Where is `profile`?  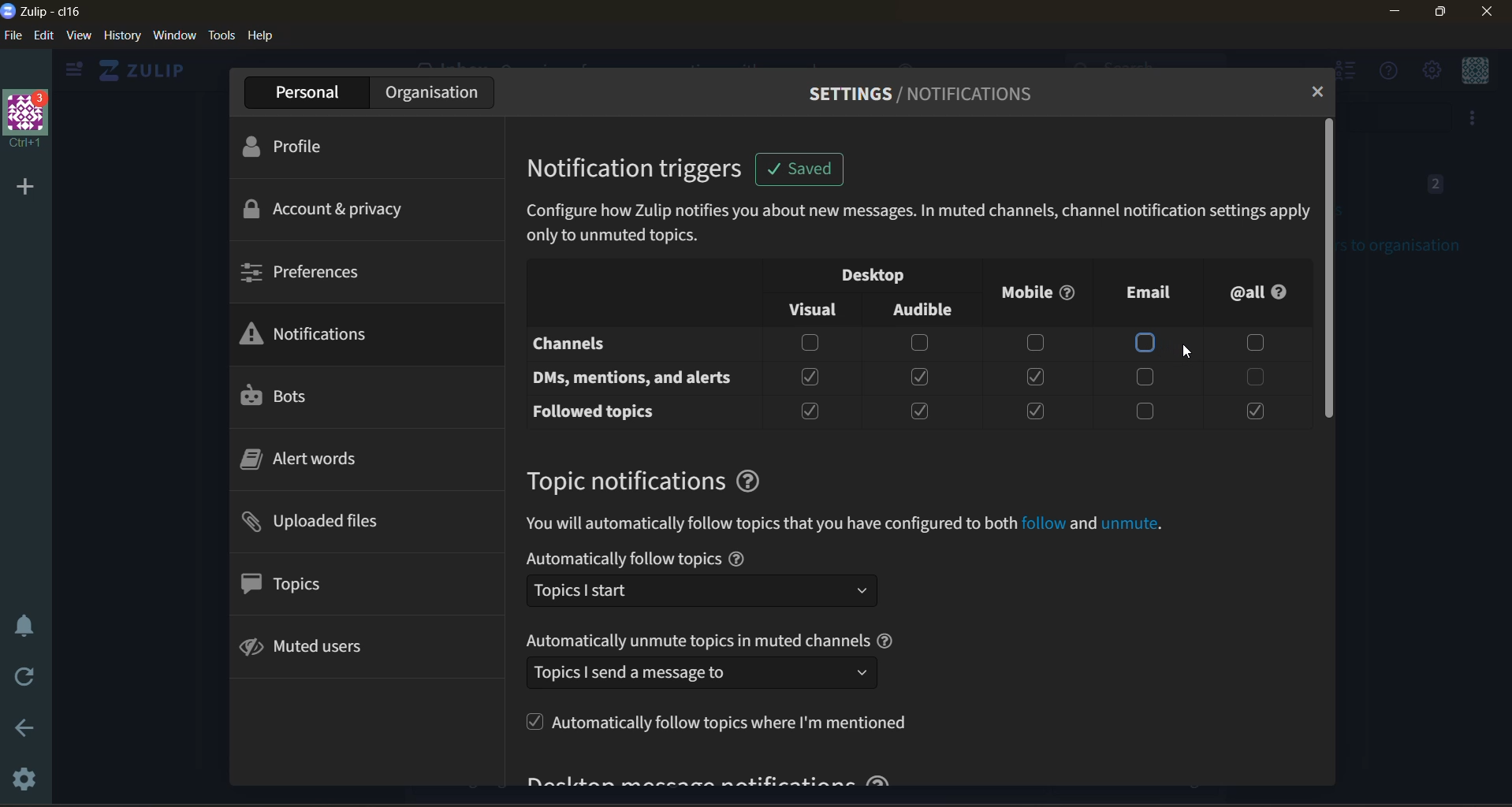 profile is located at coordinates (299, 149).